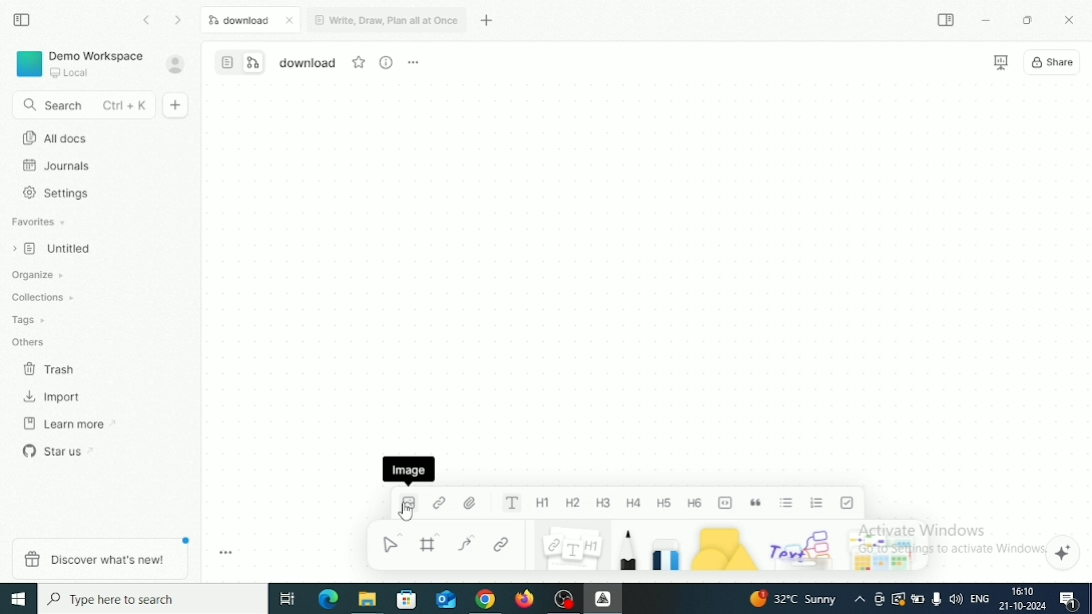 The width and height of the screenshot is (1092, 614). What do you see at coordinates (390, 543) in the screenshot?
I see `Select` at bounding box center [390, 543].